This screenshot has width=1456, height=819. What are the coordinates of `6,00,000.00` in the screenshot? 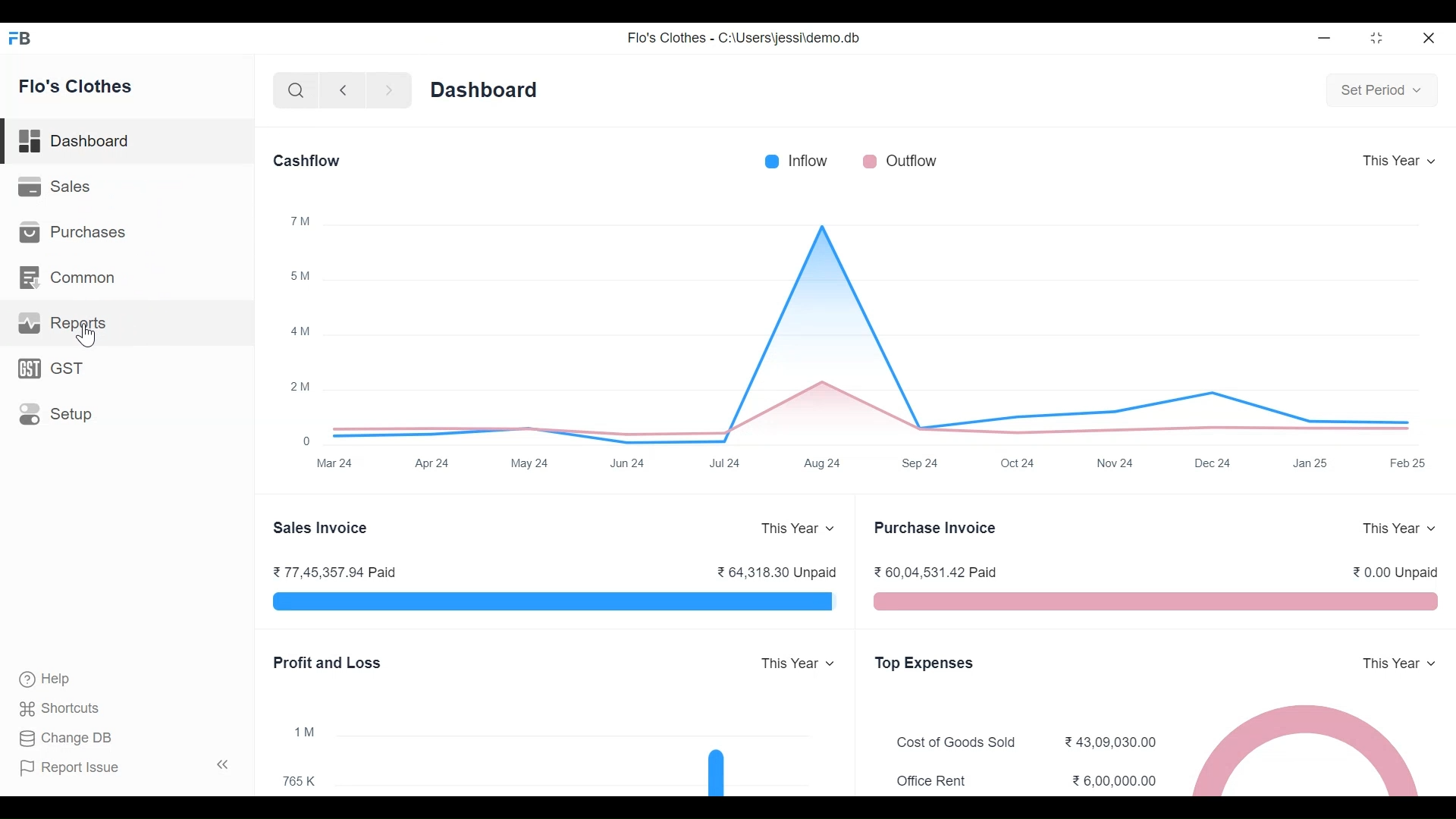 It's located at (1116, 781).